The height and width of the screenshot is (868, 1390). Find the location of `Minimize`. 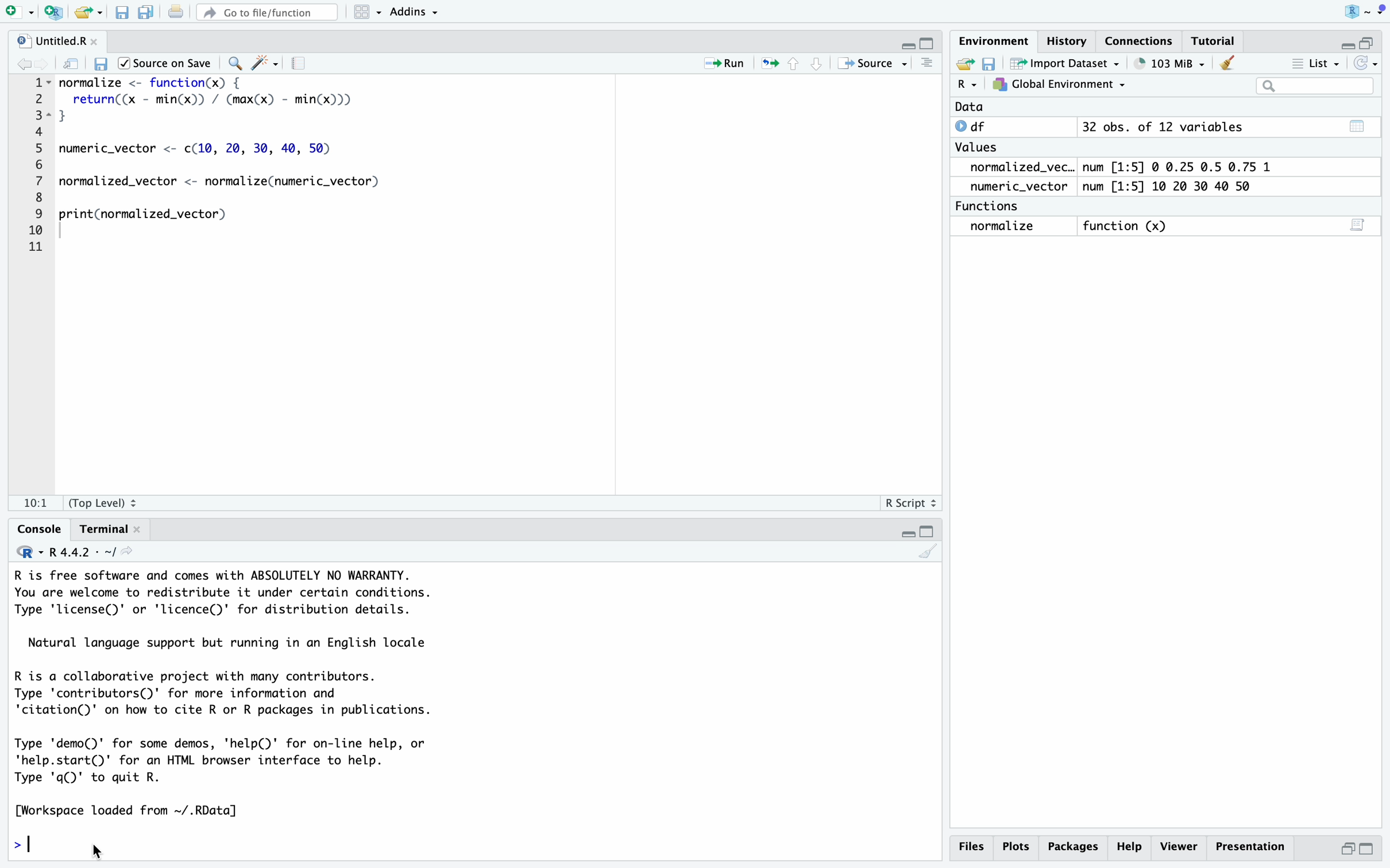

Minimize is located at coordinates (906, 534).